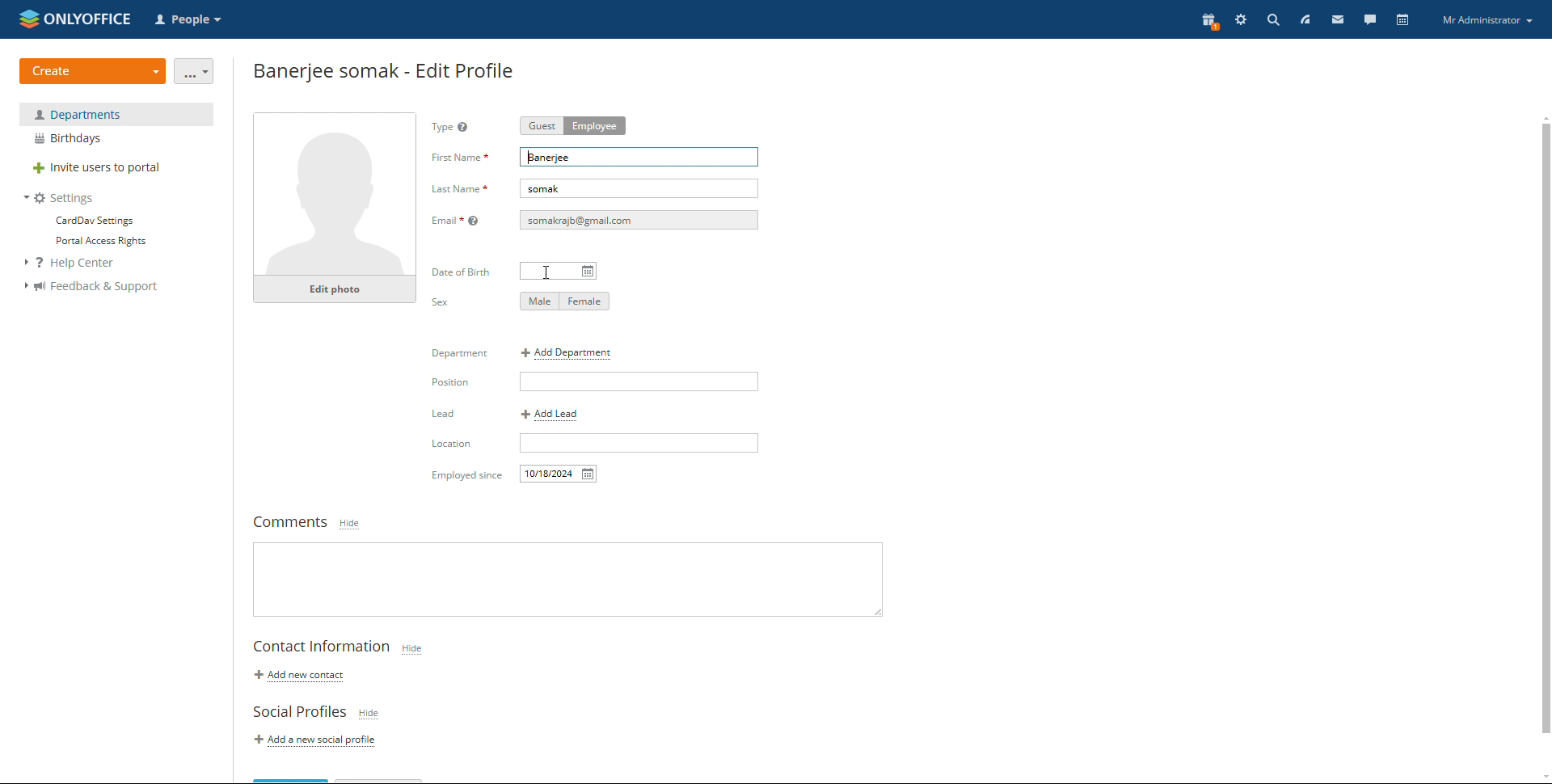 The image size is (1552, 784). Describe the element at coordinates (550, 415) in the screenshot. I see `add lead` at that location.